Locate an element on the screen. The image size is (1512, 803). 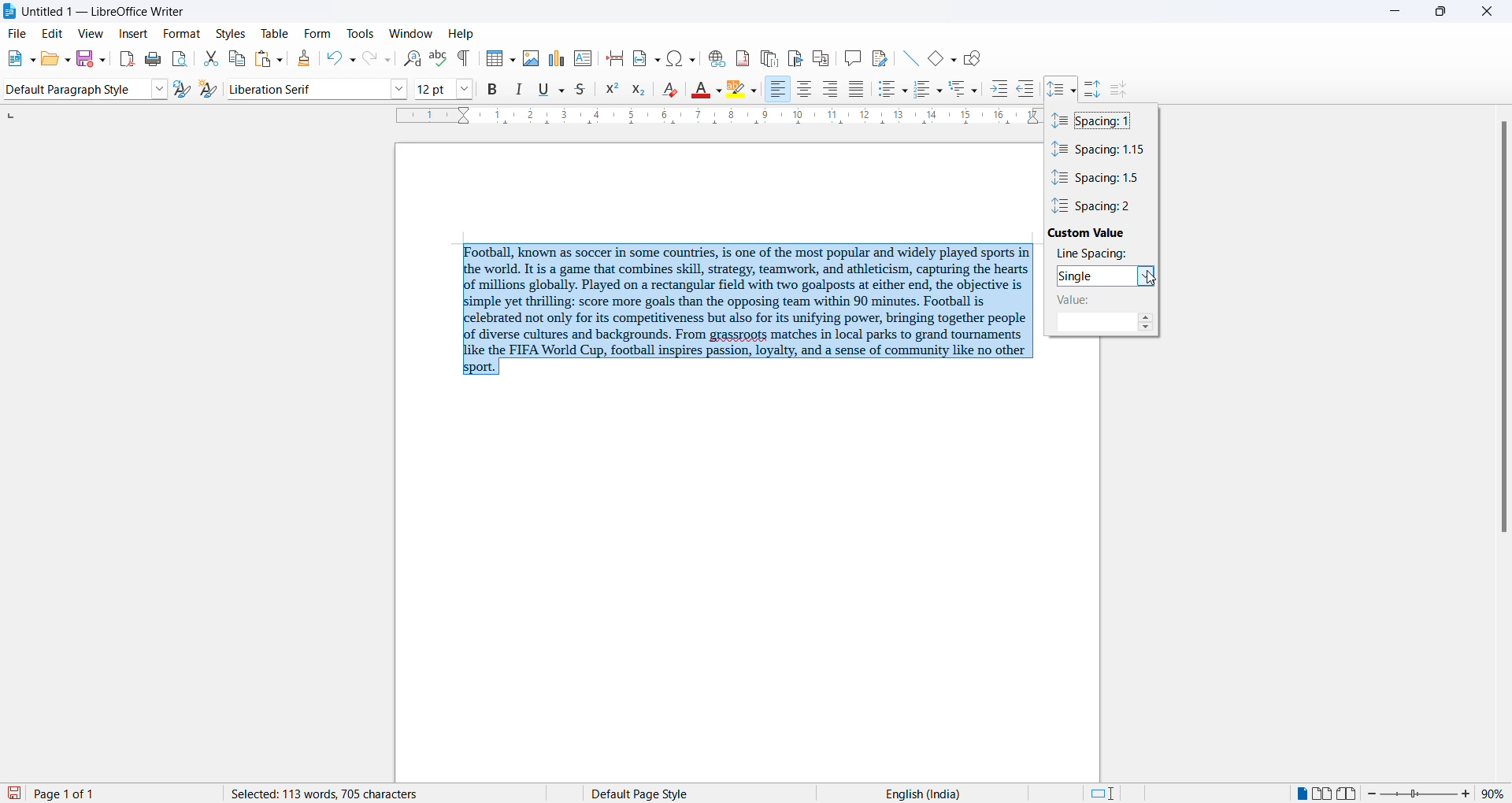
paste options is located at coordinates (282, 58).